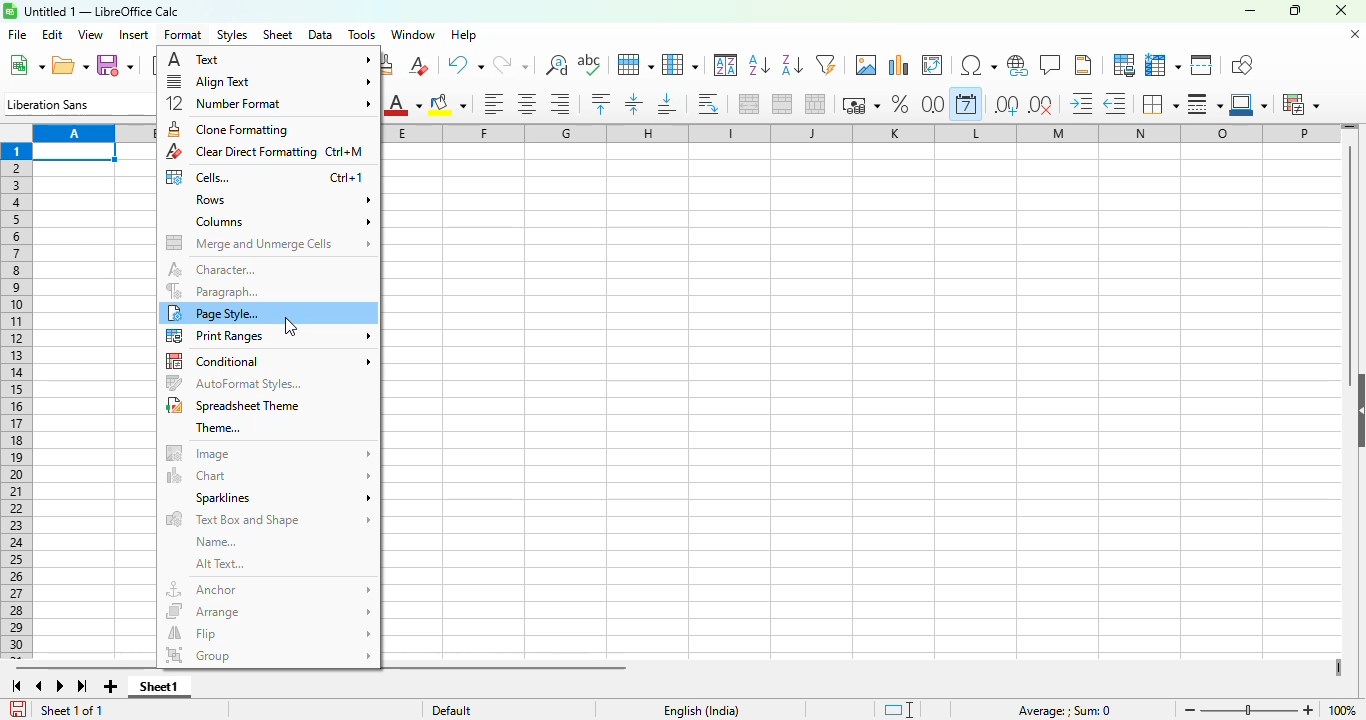 This screenshot has width=1366, height=720. I want to click on zoom in, so click(1309, 710).